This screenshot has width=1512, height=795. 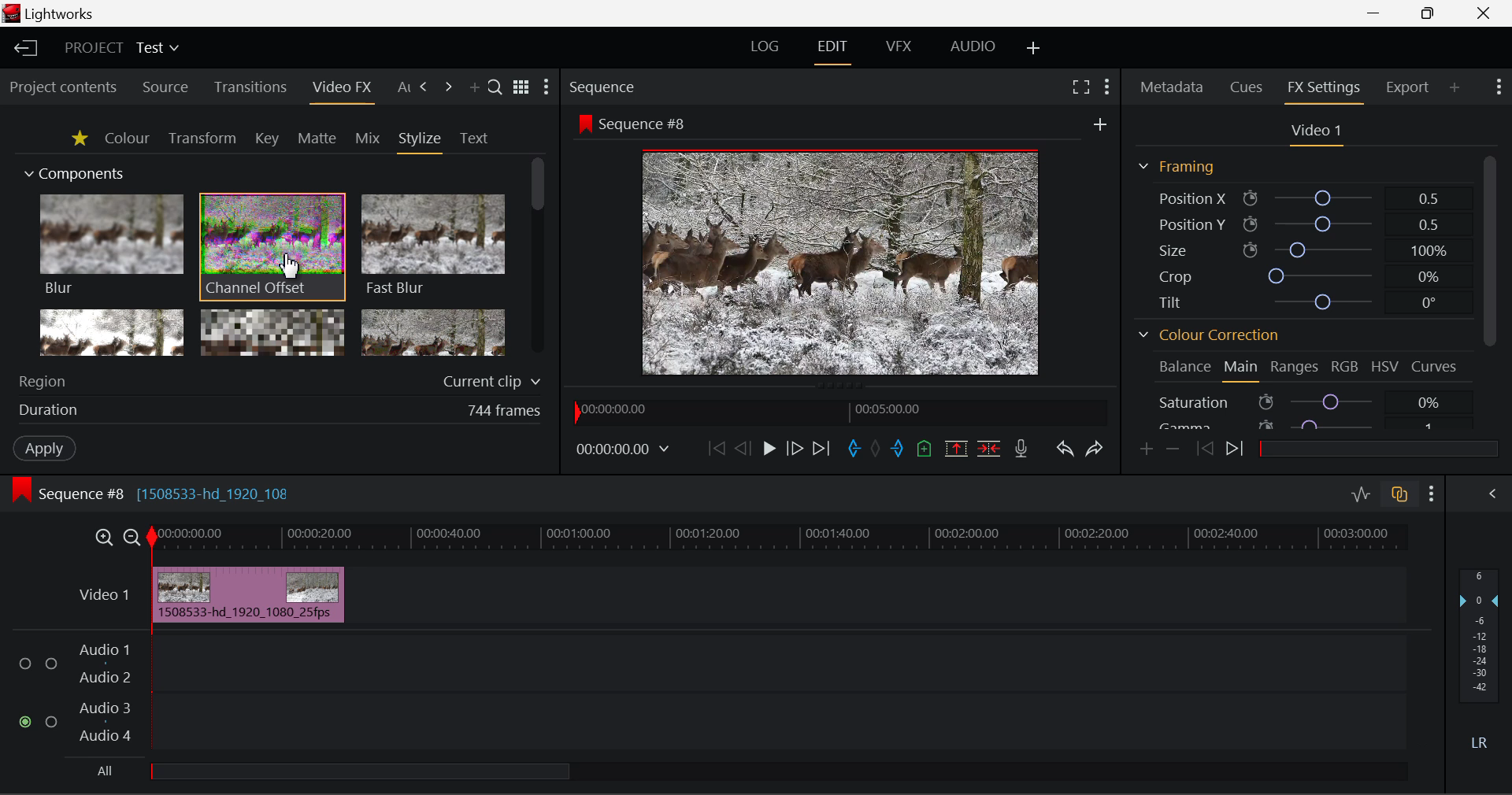 What do you see at coordinates (535, 256) in the screenshot?
I see `Scroll Bar` at bounding box center [535, 256].